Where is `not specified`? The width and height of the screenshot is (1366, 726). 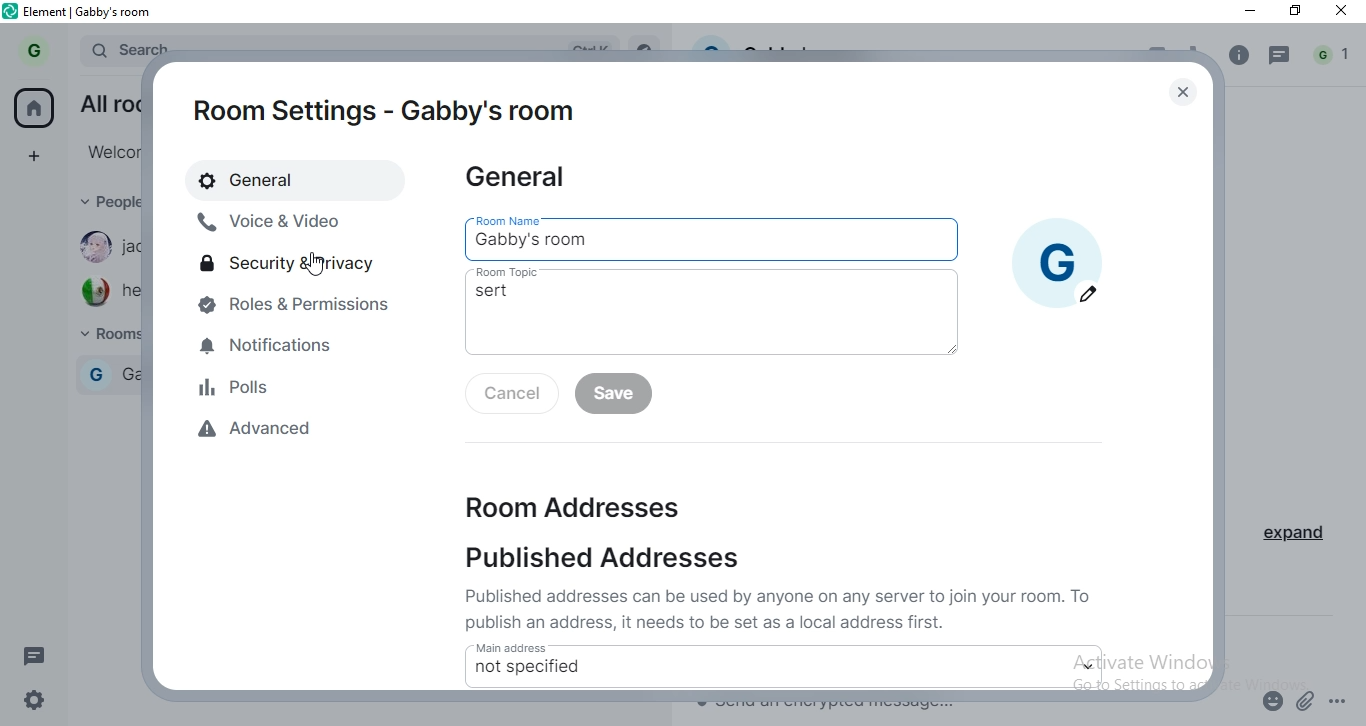
not specified is located at coordinates (523, 667).